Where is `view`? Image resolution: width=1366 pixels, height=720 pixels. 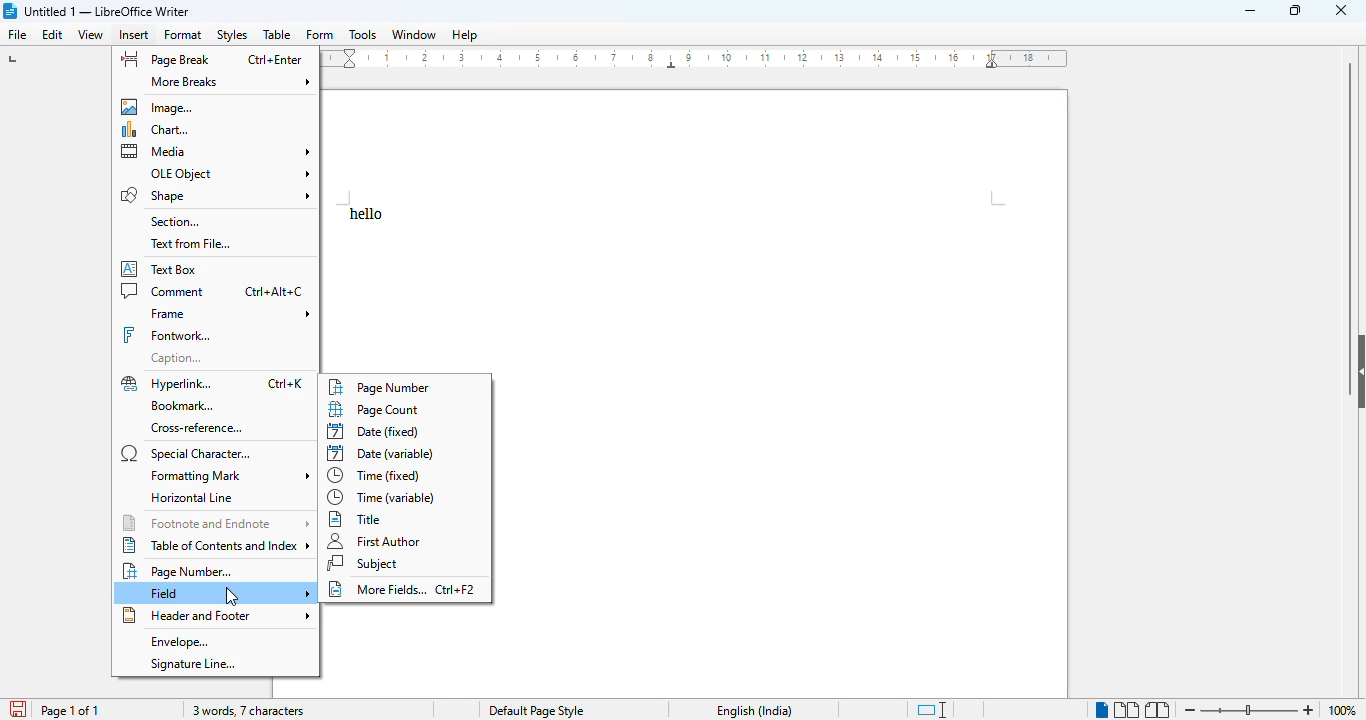
view is located at coordinates (90, 35).